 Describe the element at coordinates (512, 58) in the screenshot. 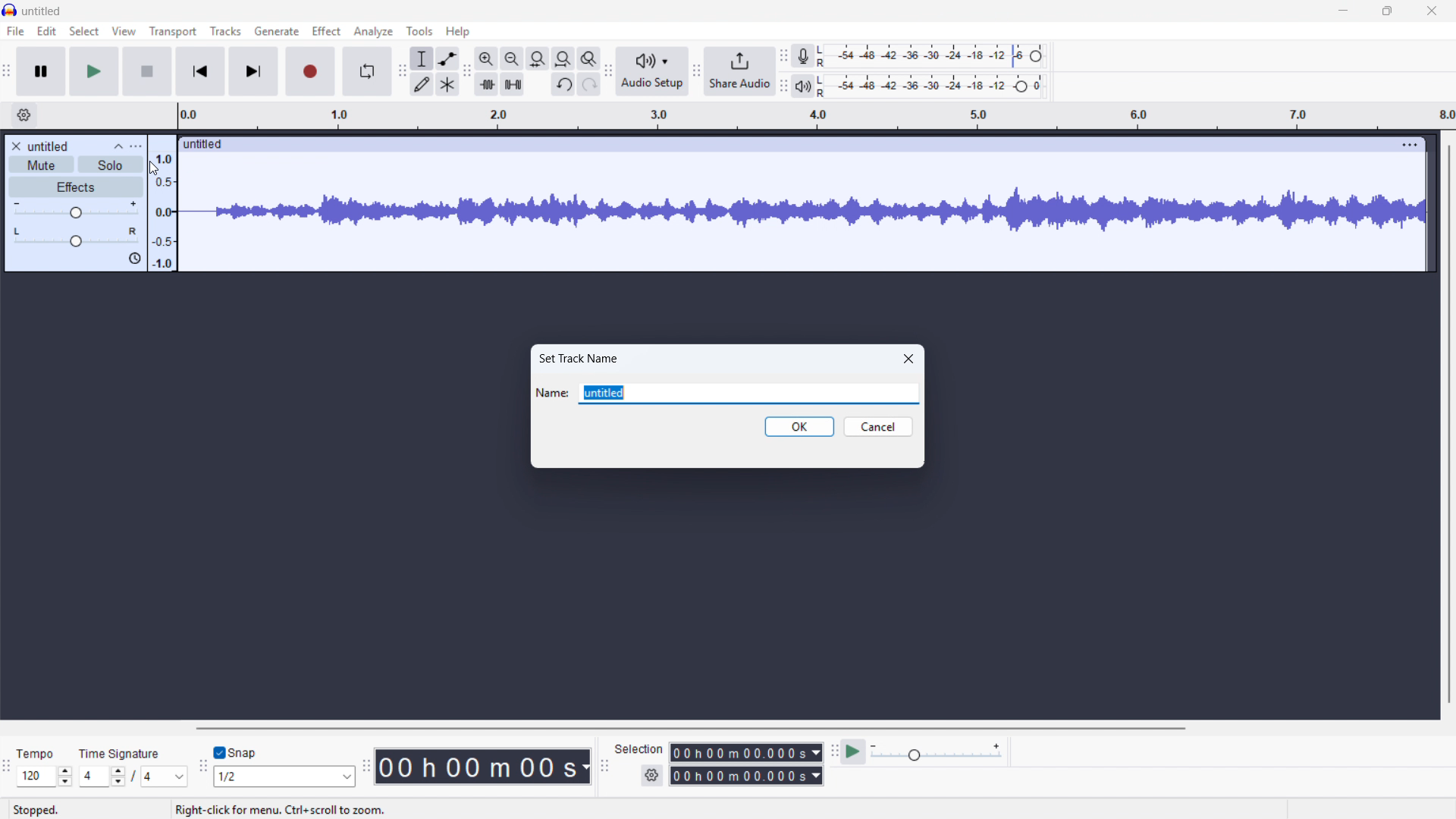

I see `Zoom out ` at that location.